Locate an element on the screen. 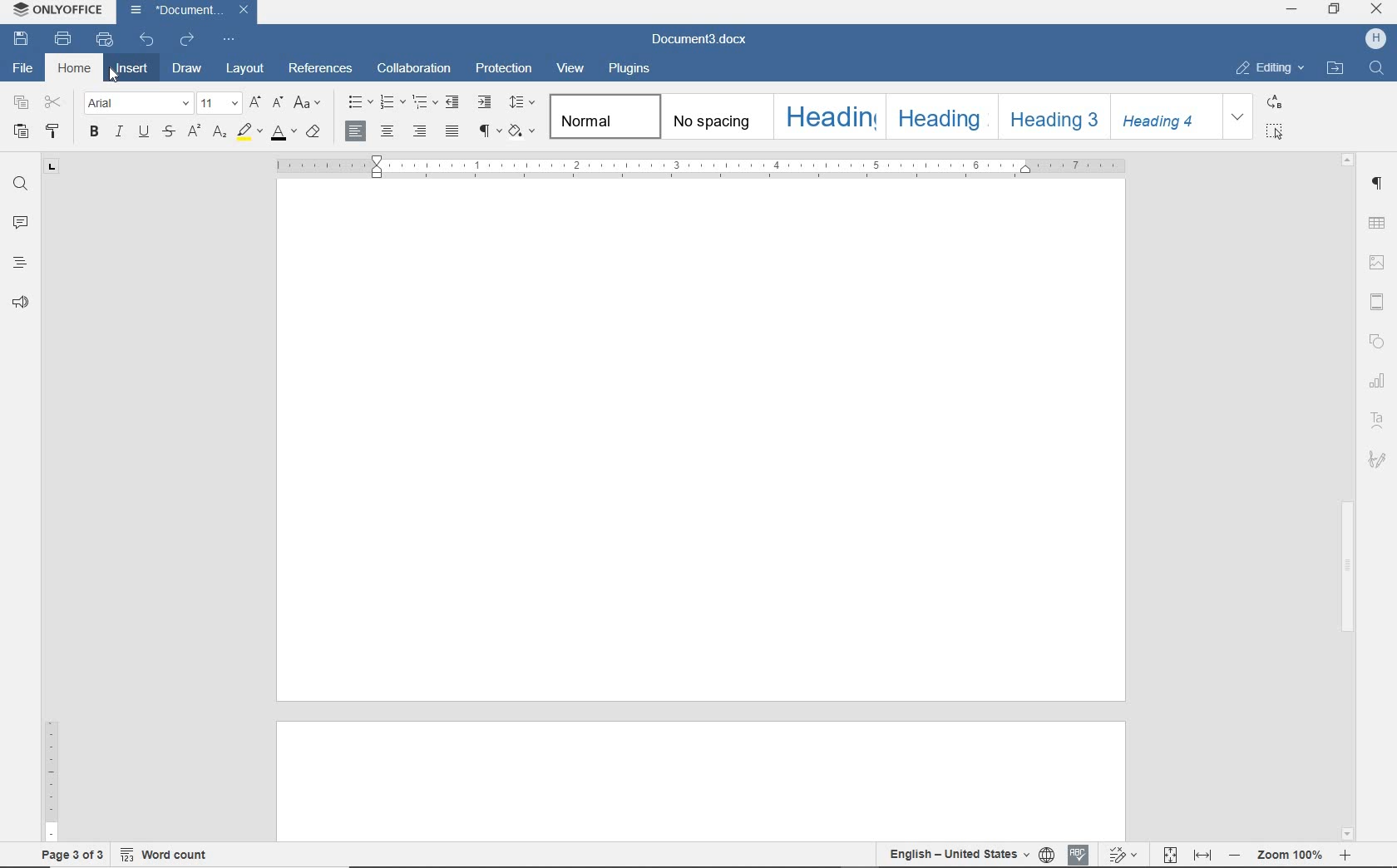 The width and height of the screenshot is (1397, 868). INSERT is located at coordinates (133, 71).